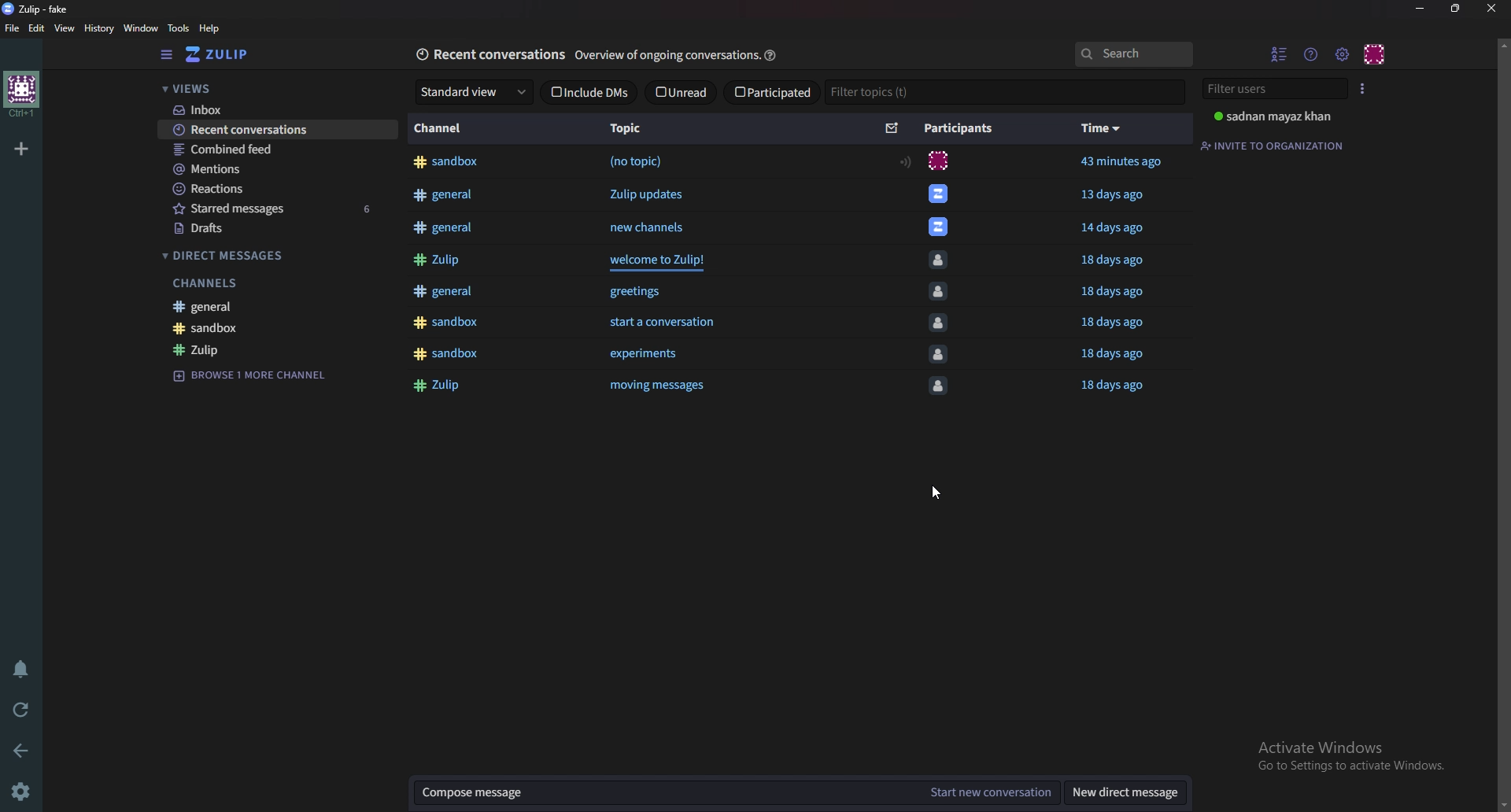 This screenshot has width=1511, height=812. I want to click on #general, so click(443, 227).